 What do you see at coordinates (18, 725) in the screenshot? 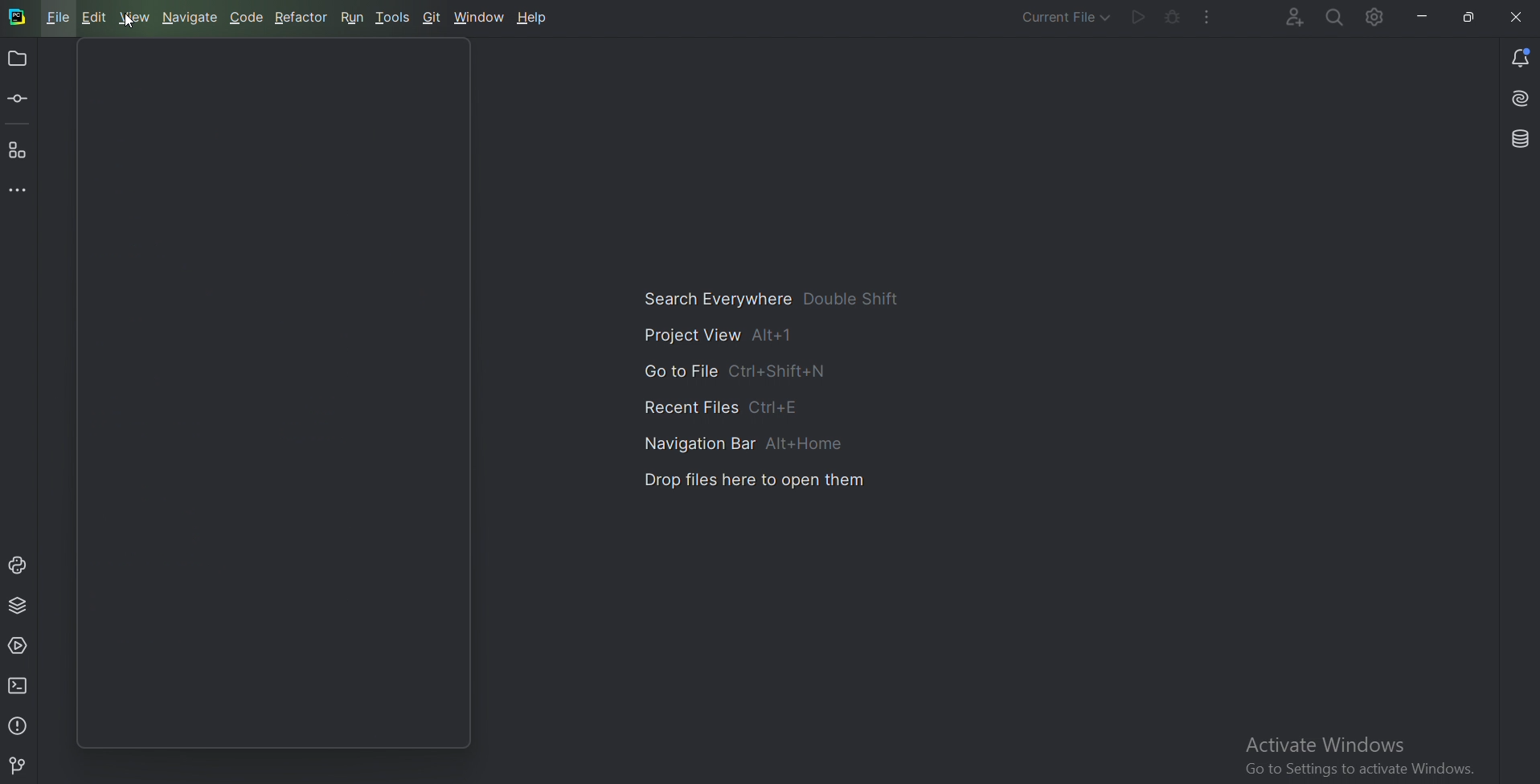
I see `Problems` at bounding box center [18, 725].